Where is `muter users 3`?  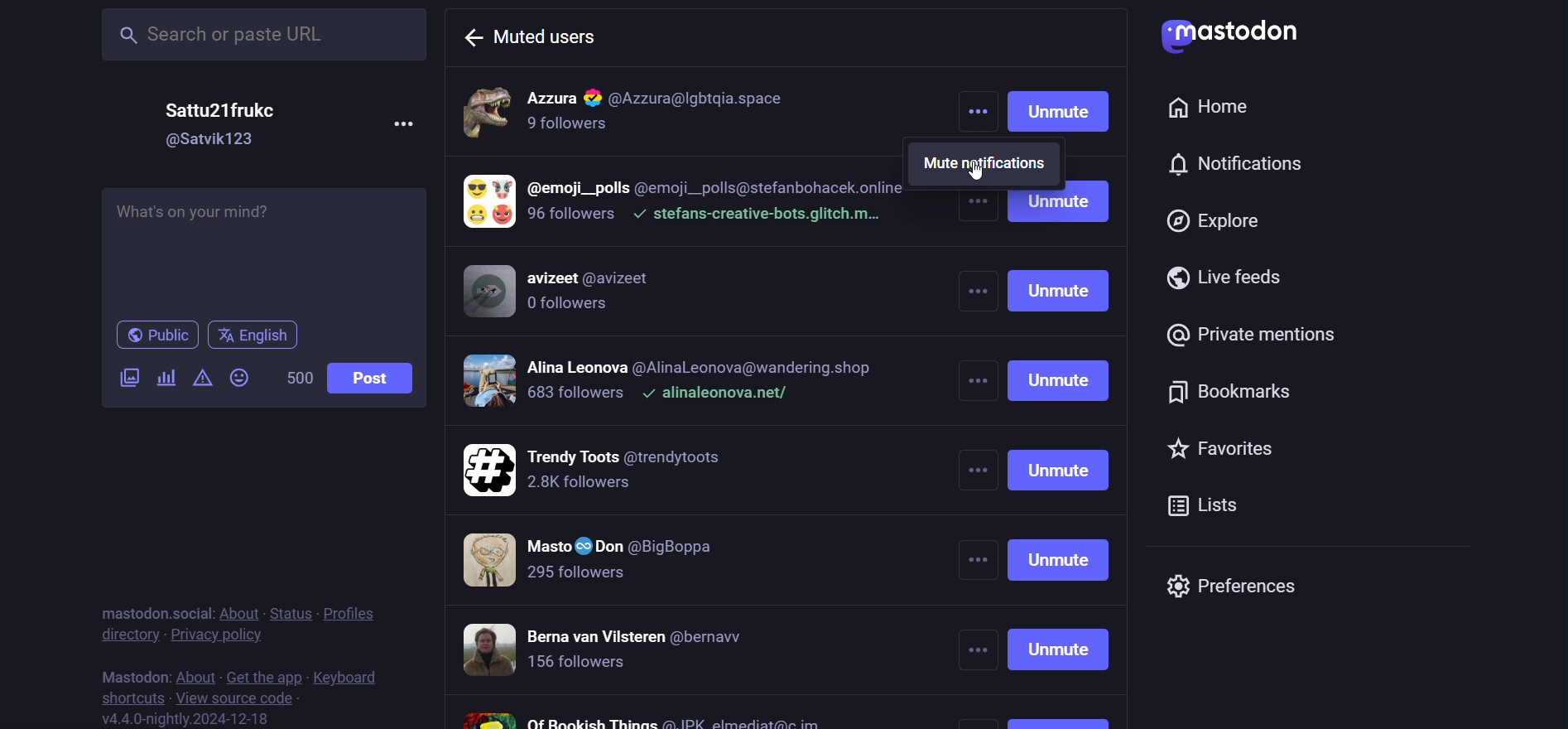
muter users 3 is located at coordinates (574, 292).